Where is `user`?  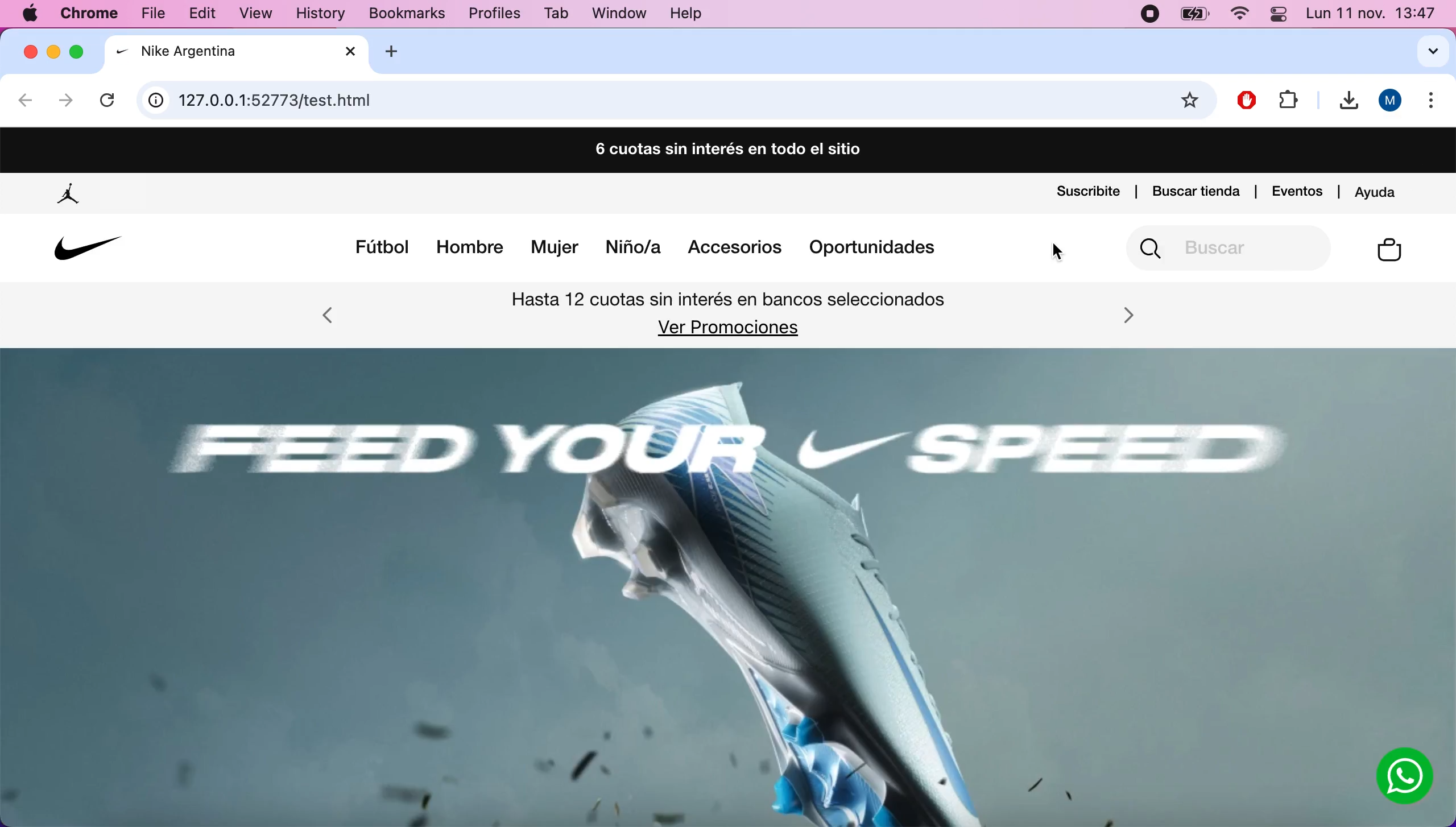
user is located at coordinates (1391, 101).